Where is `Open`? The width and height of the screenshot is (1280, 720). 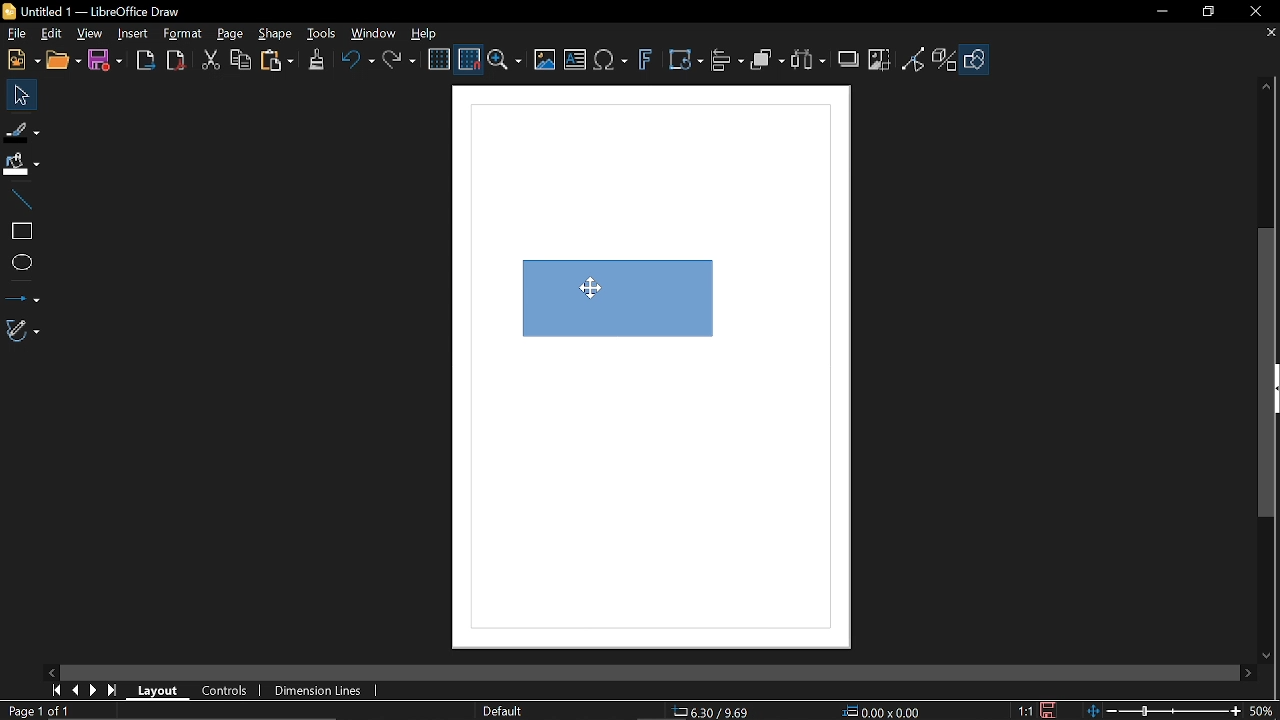 Open is located at coordinates (65, 61).